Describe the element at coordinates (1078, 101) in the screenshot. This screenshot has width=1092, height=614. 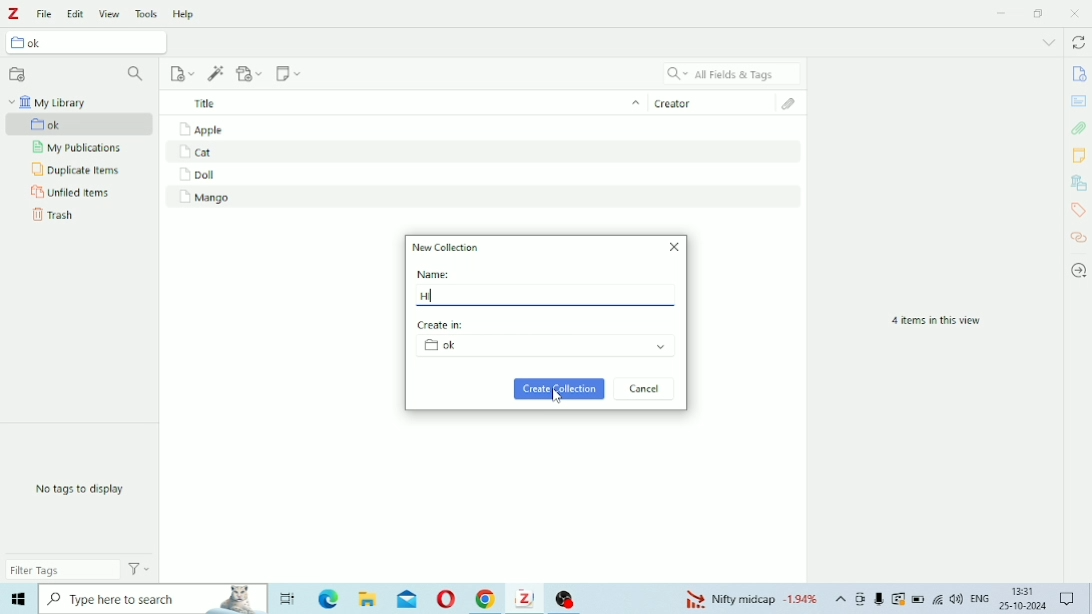
I see `Abstract` at that location.